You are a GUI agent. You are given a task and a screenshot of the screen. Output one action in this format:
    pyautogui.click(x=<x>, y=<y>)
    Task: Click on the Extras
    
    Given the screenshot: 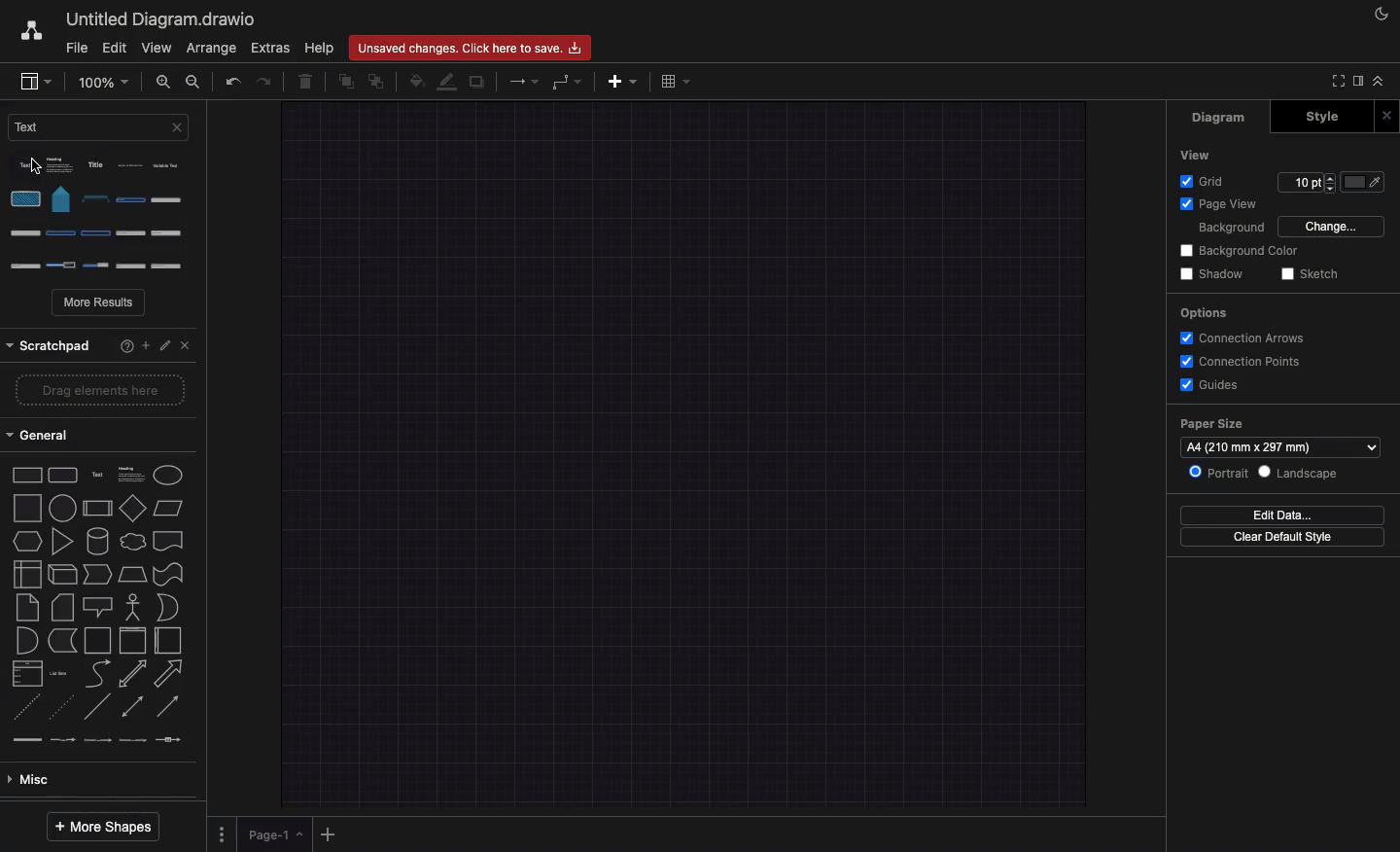 What is the action you would take?
    pyautogui.click(x=269, y=48)
    